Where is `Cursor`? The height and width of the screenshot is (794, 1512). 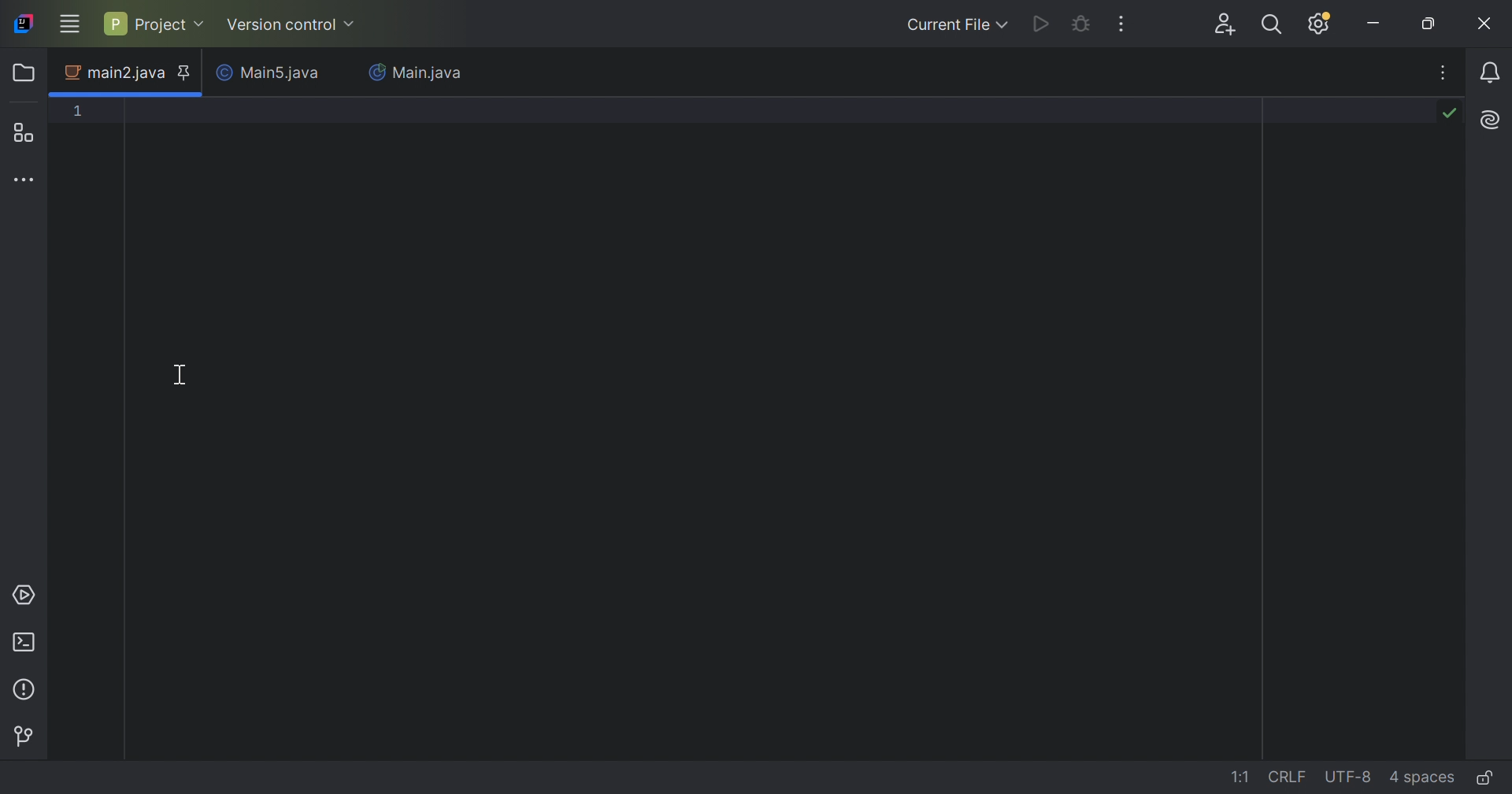 Cursor is located at coordinates (179, 374).